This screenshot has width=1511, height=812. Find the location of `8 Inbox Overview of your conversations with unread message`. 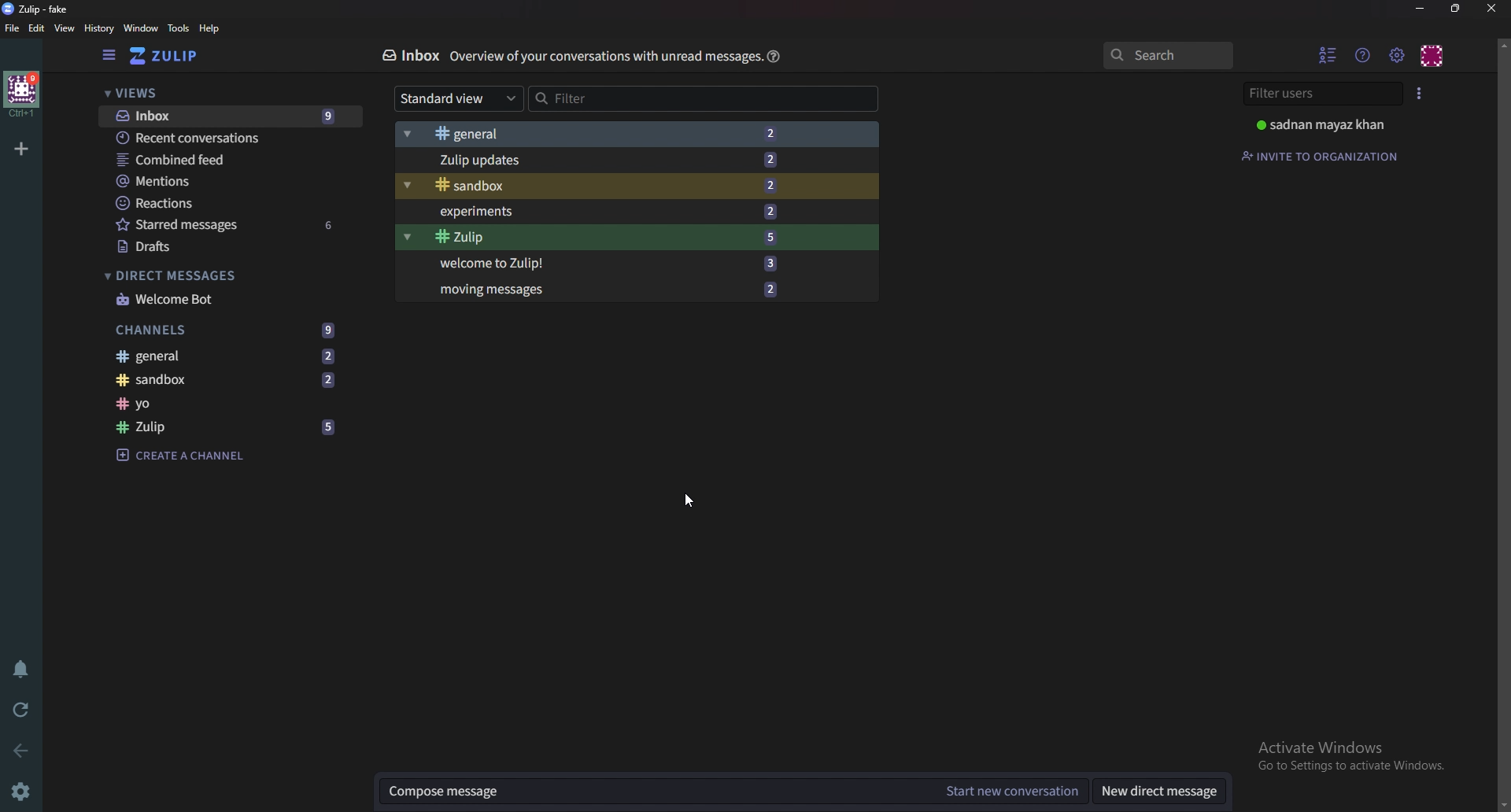

8 Inbox Overview of your conversations with unread message is located at coordinates (560, 54).